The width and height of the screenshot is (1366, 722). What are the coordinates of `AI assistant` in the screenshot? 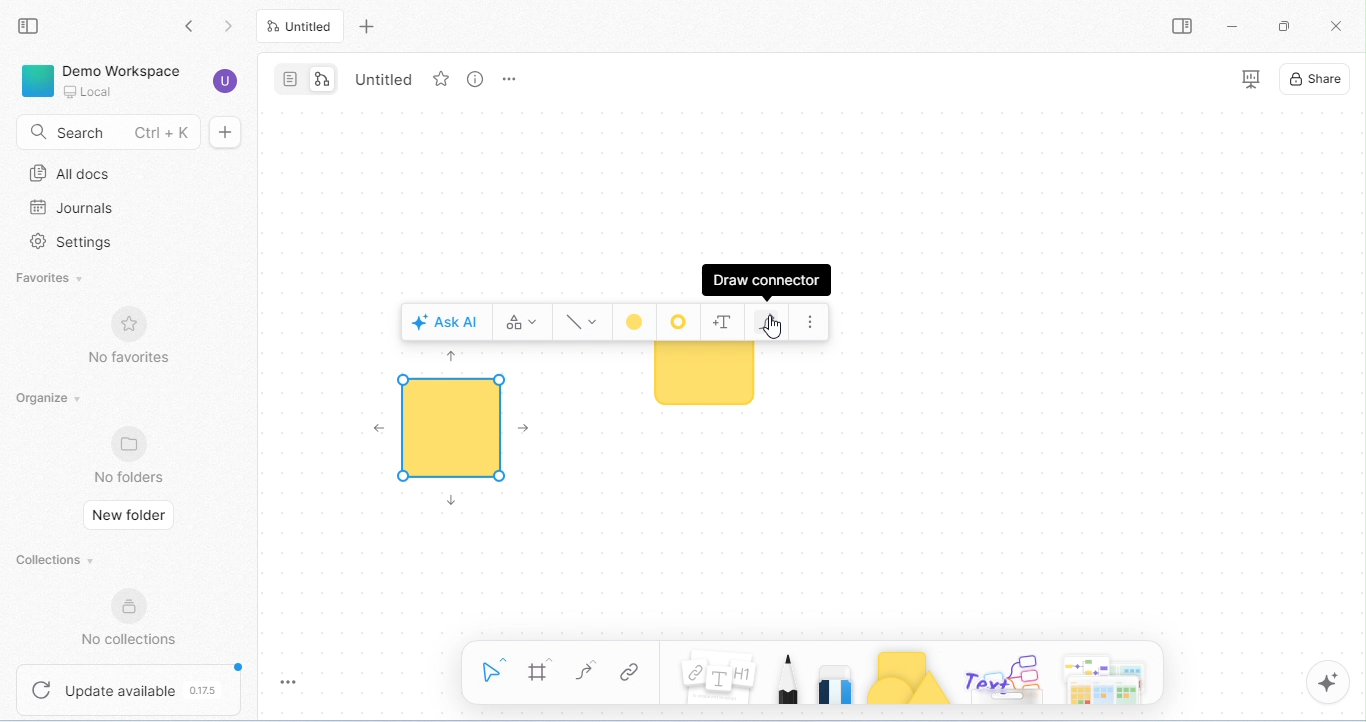 It's located at (1328, 681).